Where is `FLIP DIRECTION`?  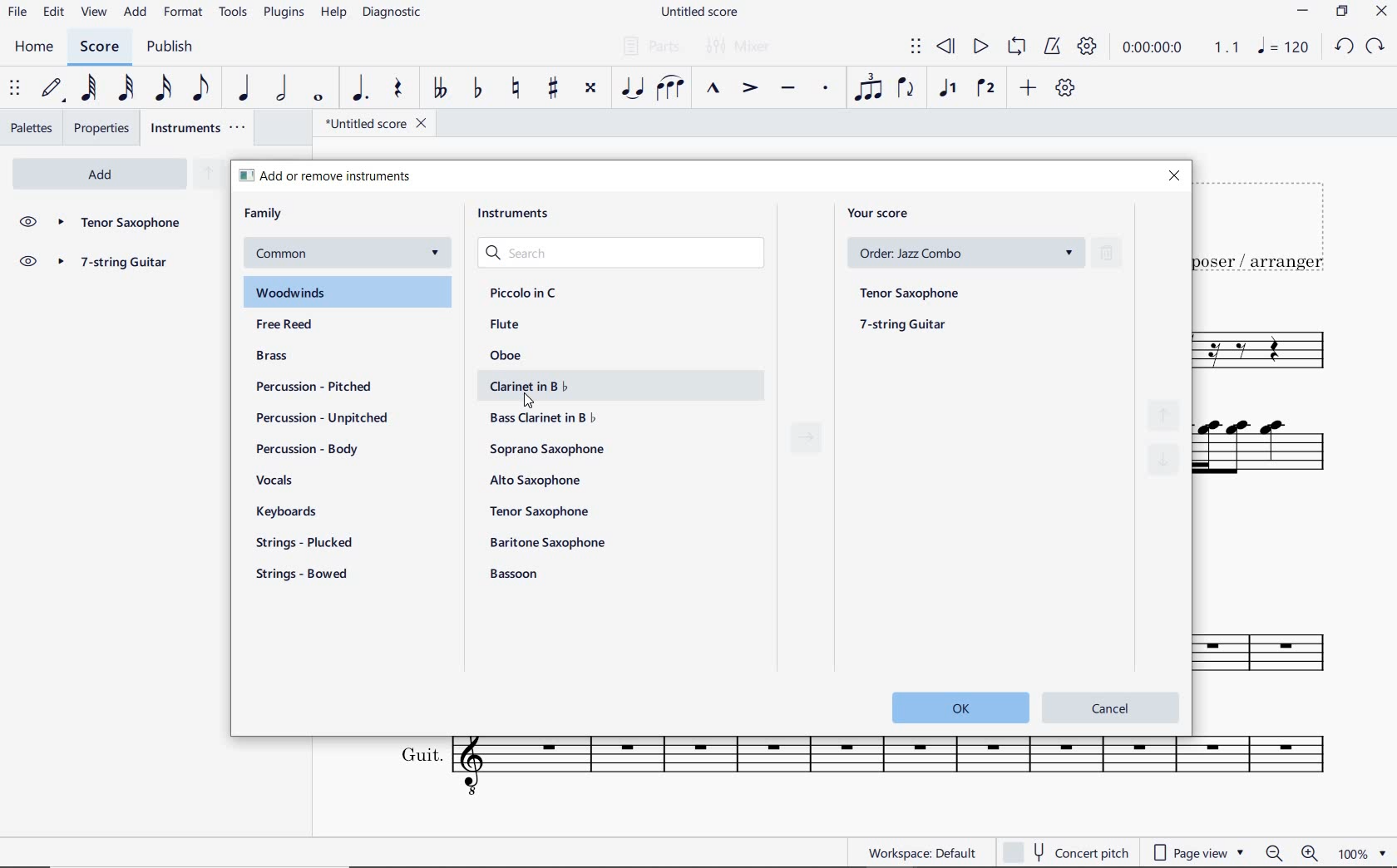
FLIP DIRECTION is located at coordinates (906, 89).